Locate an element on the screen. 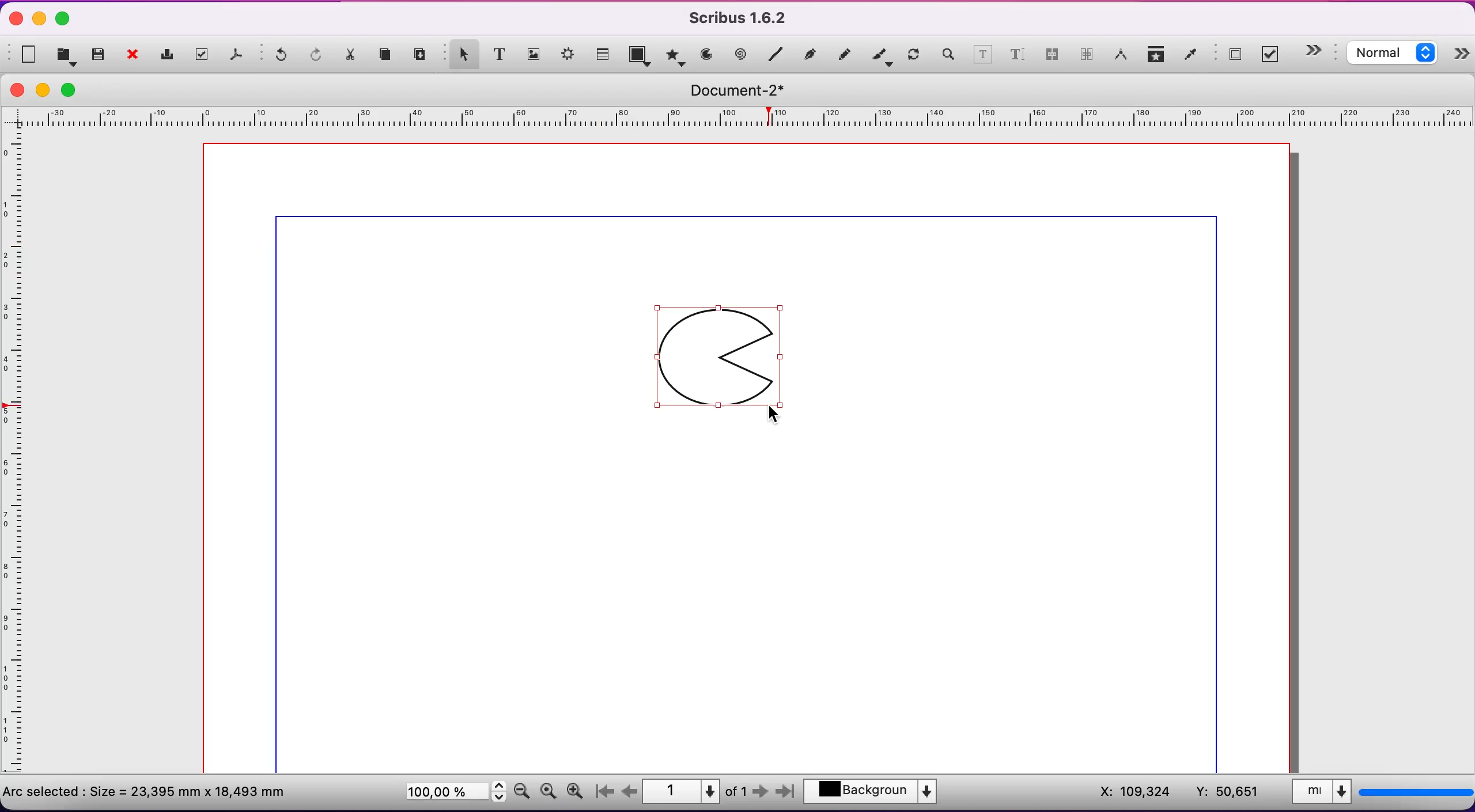  redo is located at coordinates (317, 56).